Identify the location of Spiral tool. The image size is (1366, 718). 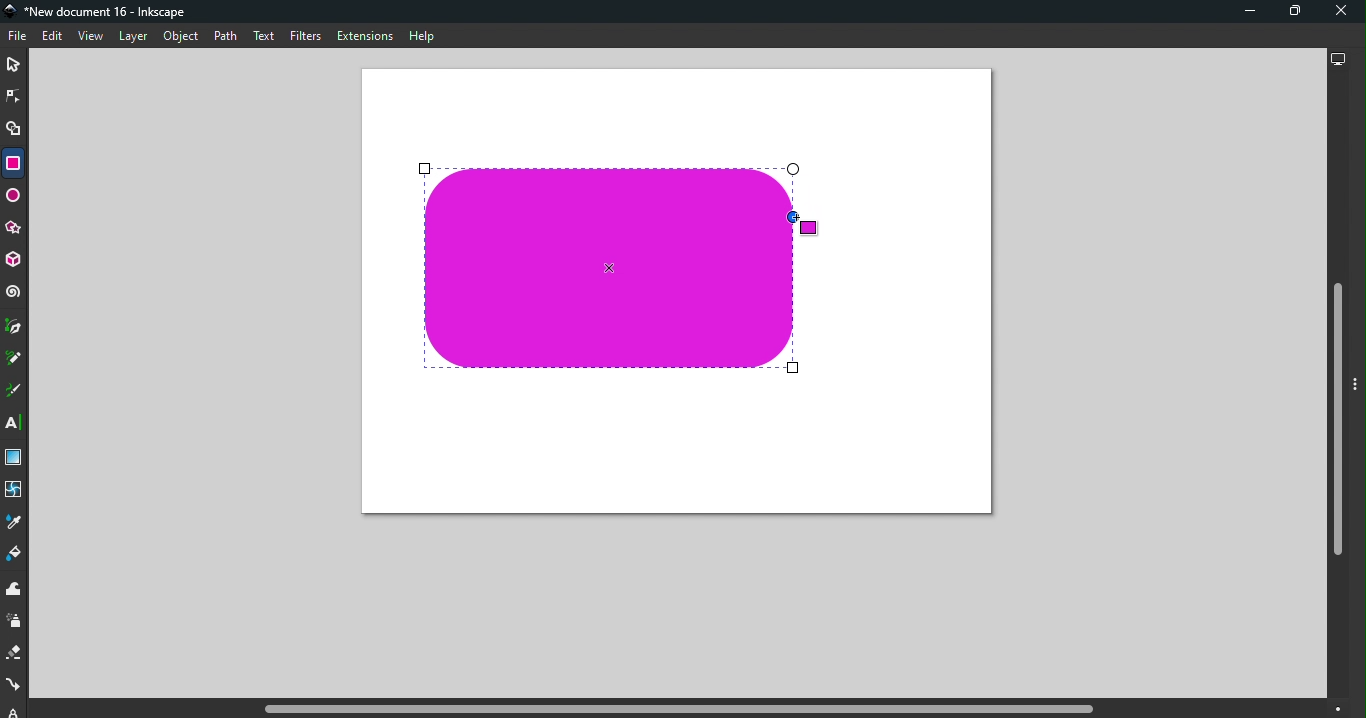
(14, 292).